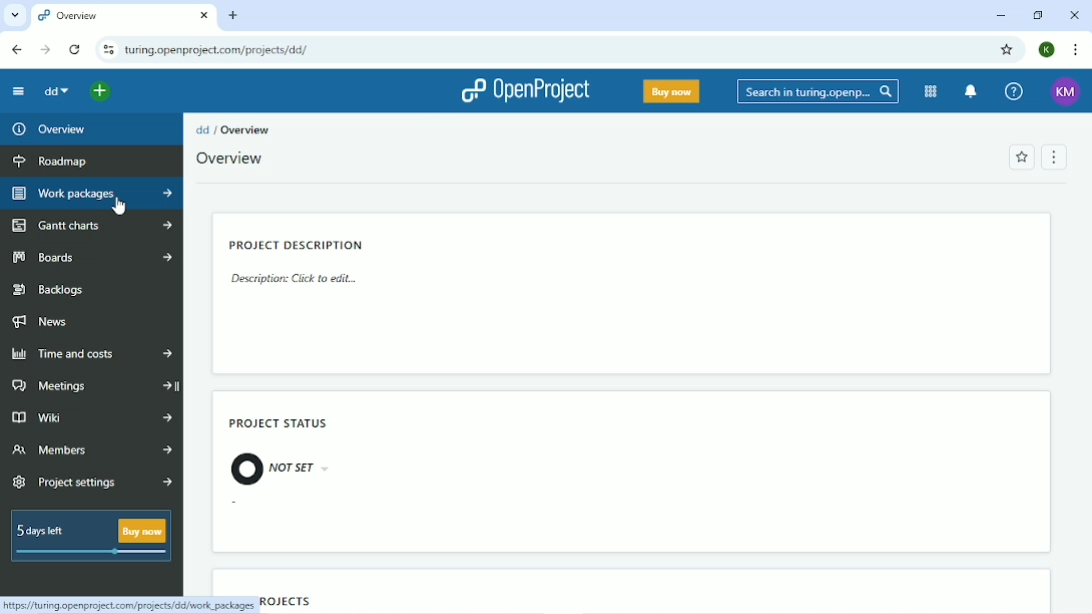  I want to click on Description: Click to edit..., so click(294, 280).